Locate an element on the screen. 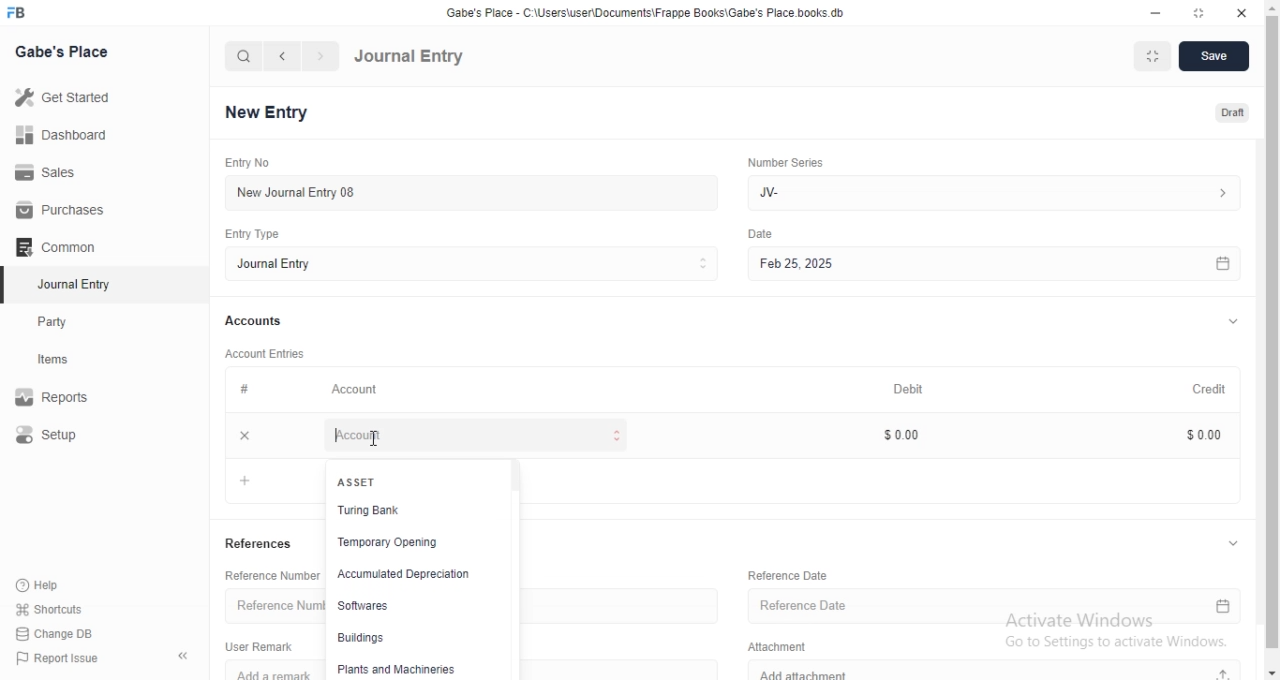 The image size is (1280, 680). expand/collapse is located at coordinates (1230, 323).